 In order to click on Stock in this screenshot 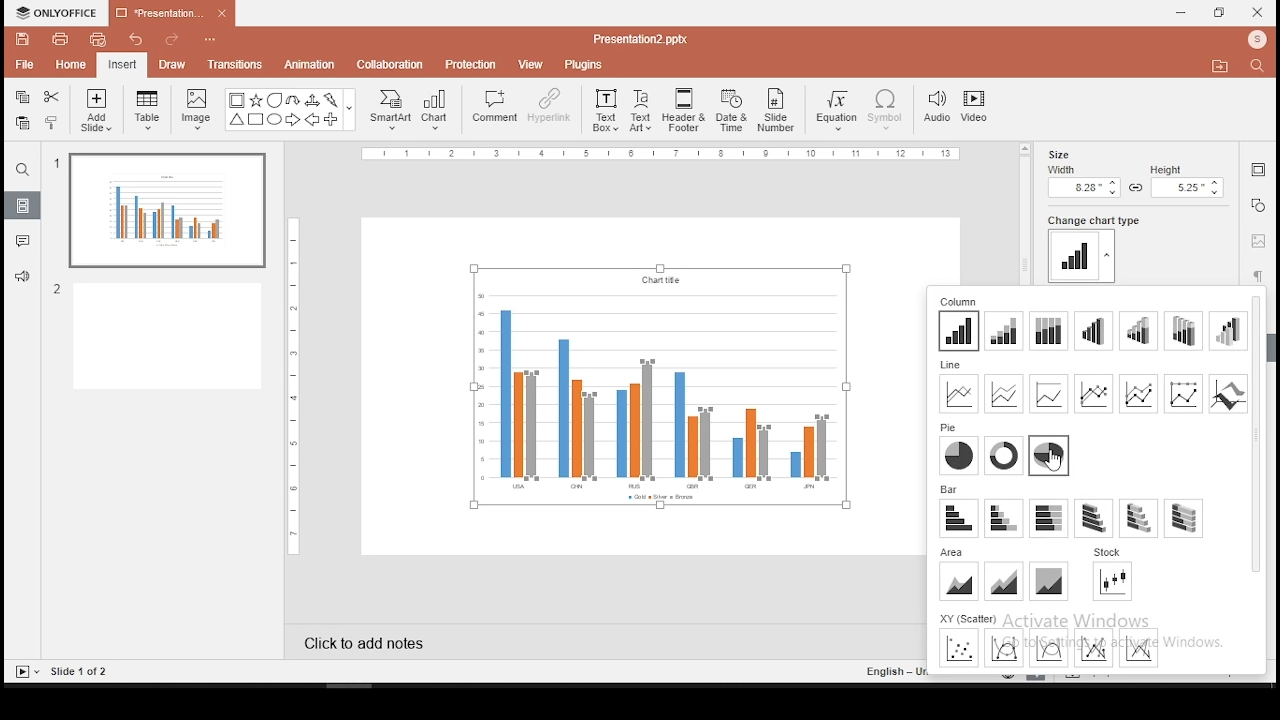, I will do `click(1110, 552)`.